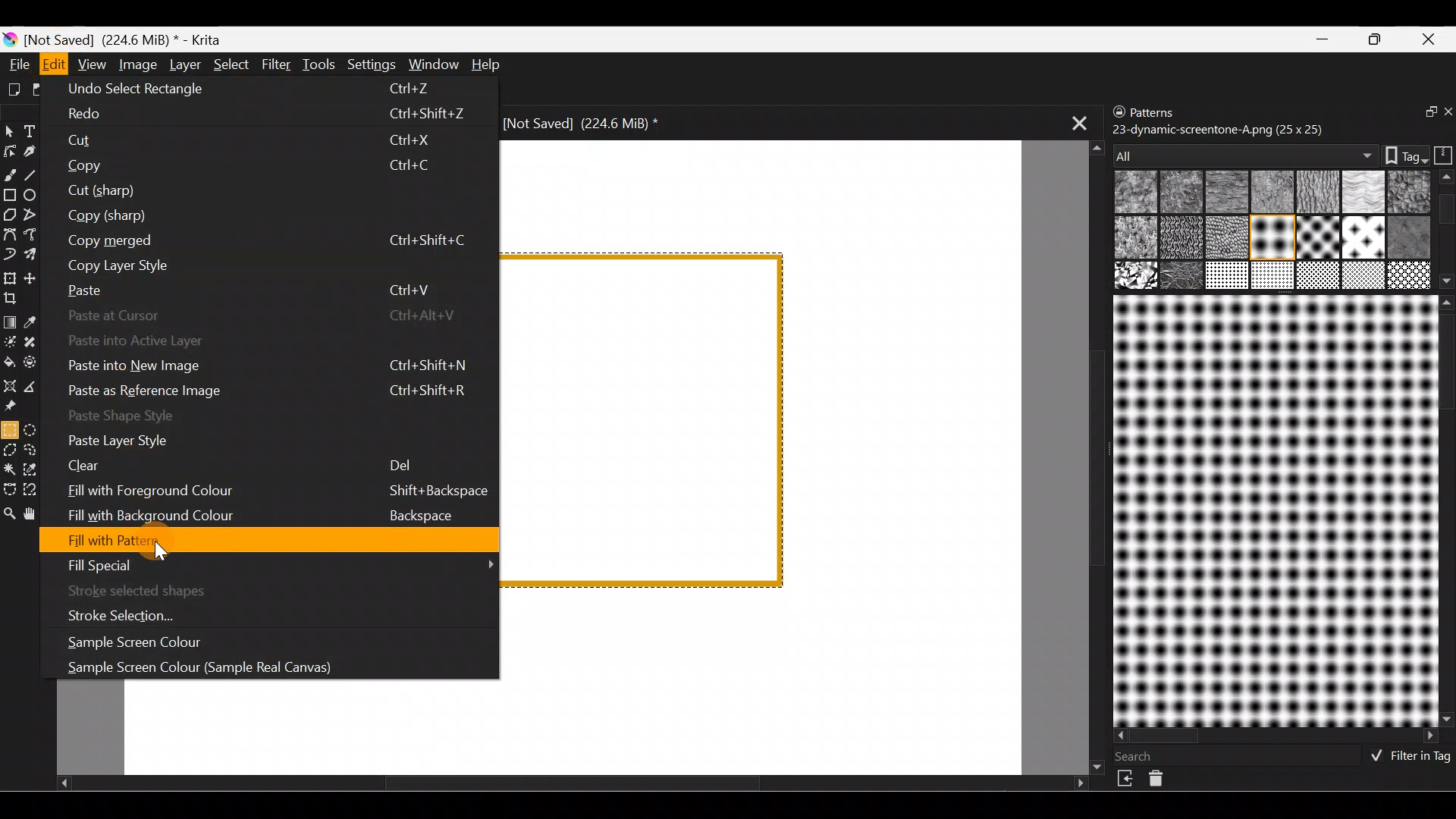  What do you see at coordinates (1127, 779) in the screenshot?
I see `Import resource` at bounding box center [1127, 779].